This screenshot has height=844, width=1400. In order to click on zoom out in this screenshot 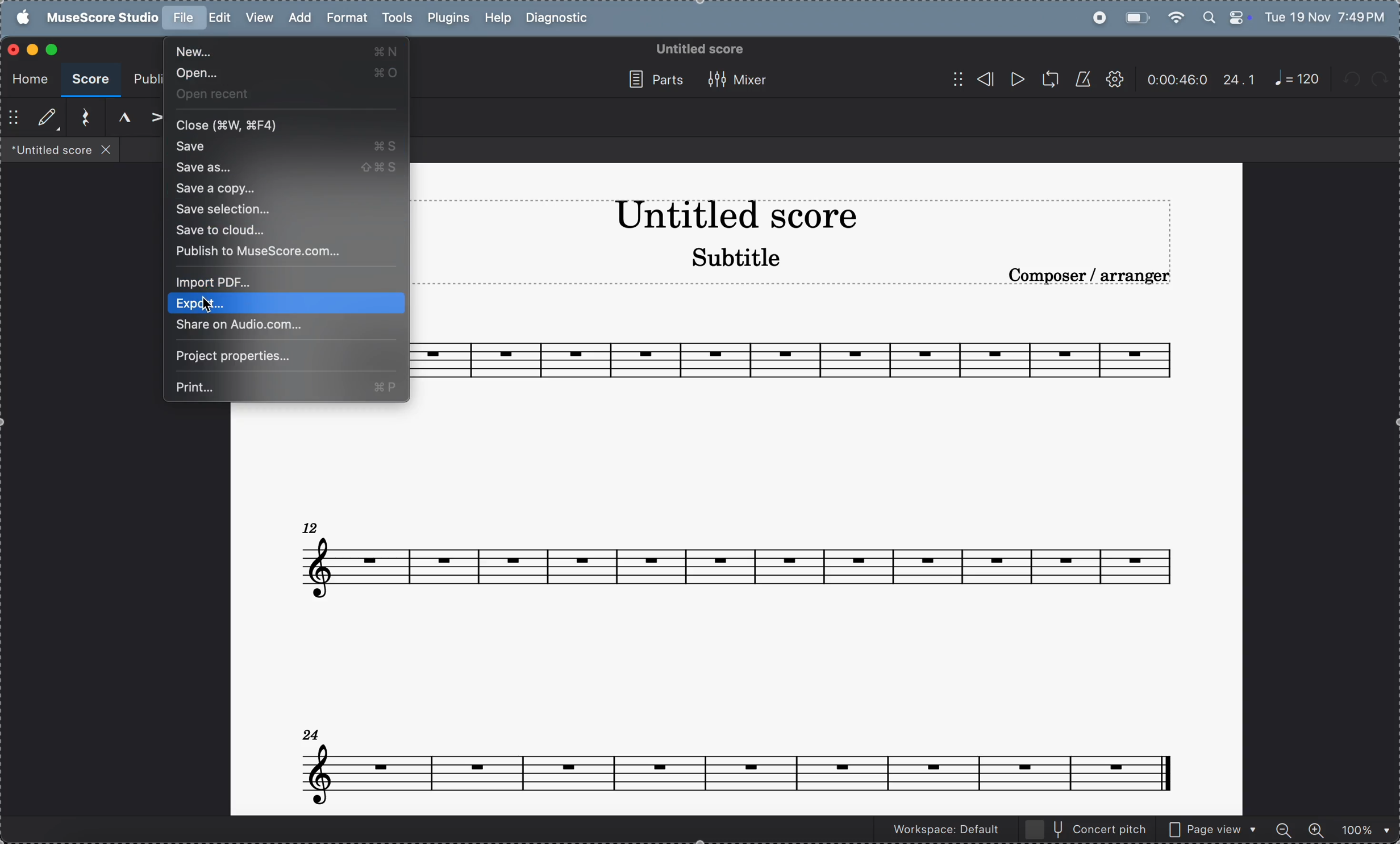, I will do `click(1285, 828)`.